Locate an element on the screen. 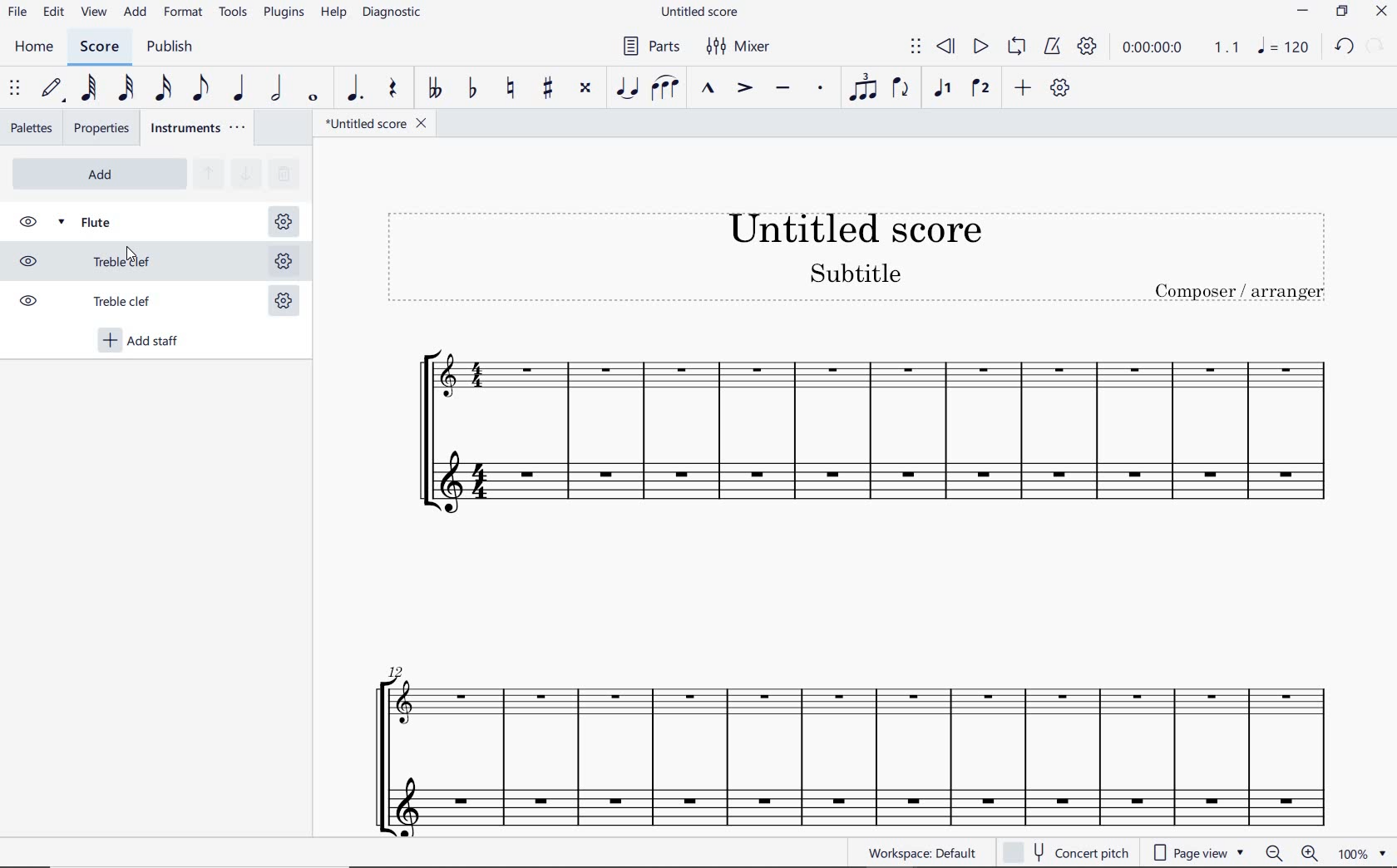 This screenshot has height=868, width=1397. 32ND NOTE is located at coordinates (126, 89).